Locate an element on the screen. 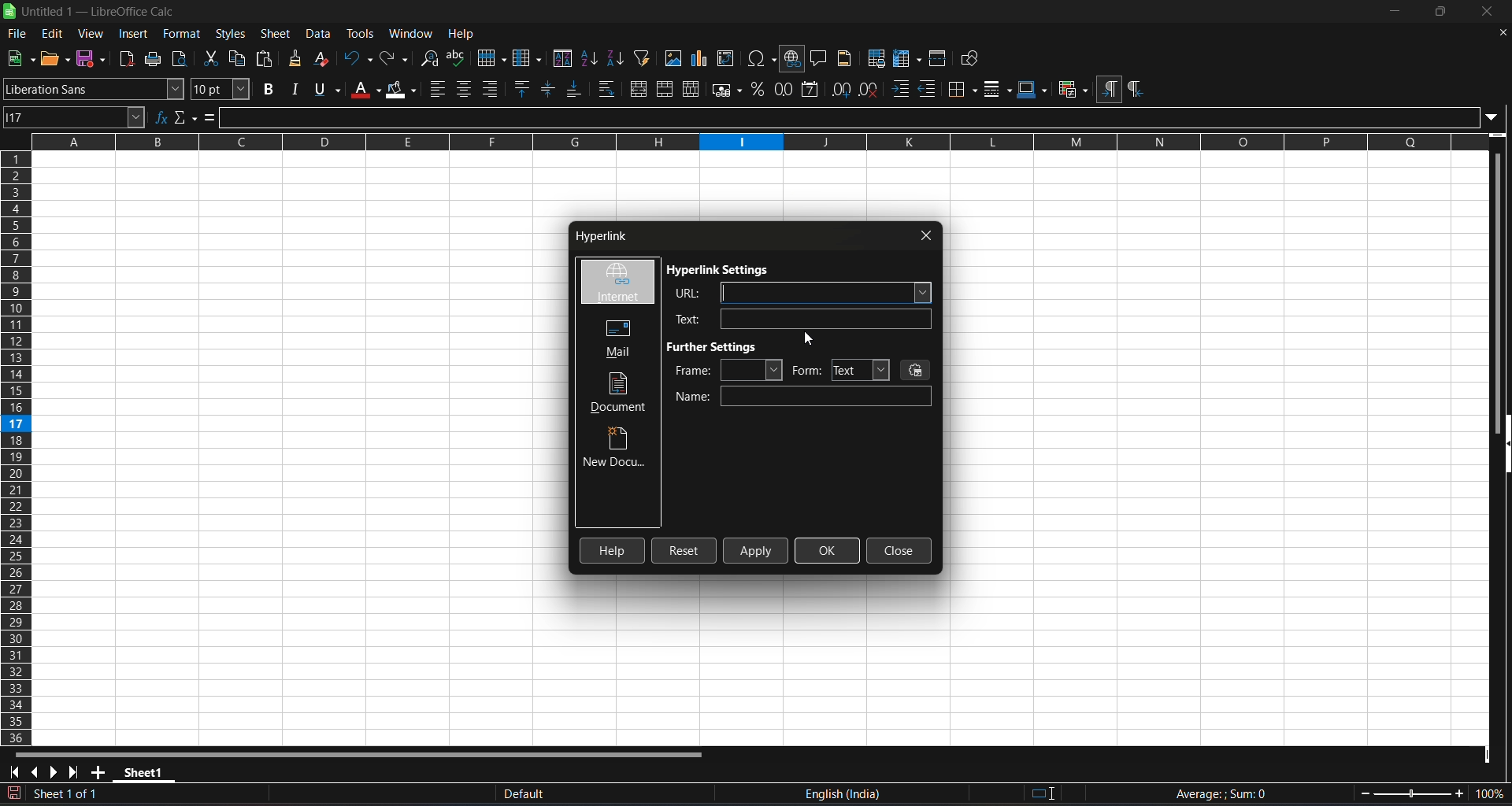 This screenshot has height=806, width=1512. increase indent is located at coordinates (901, 91).